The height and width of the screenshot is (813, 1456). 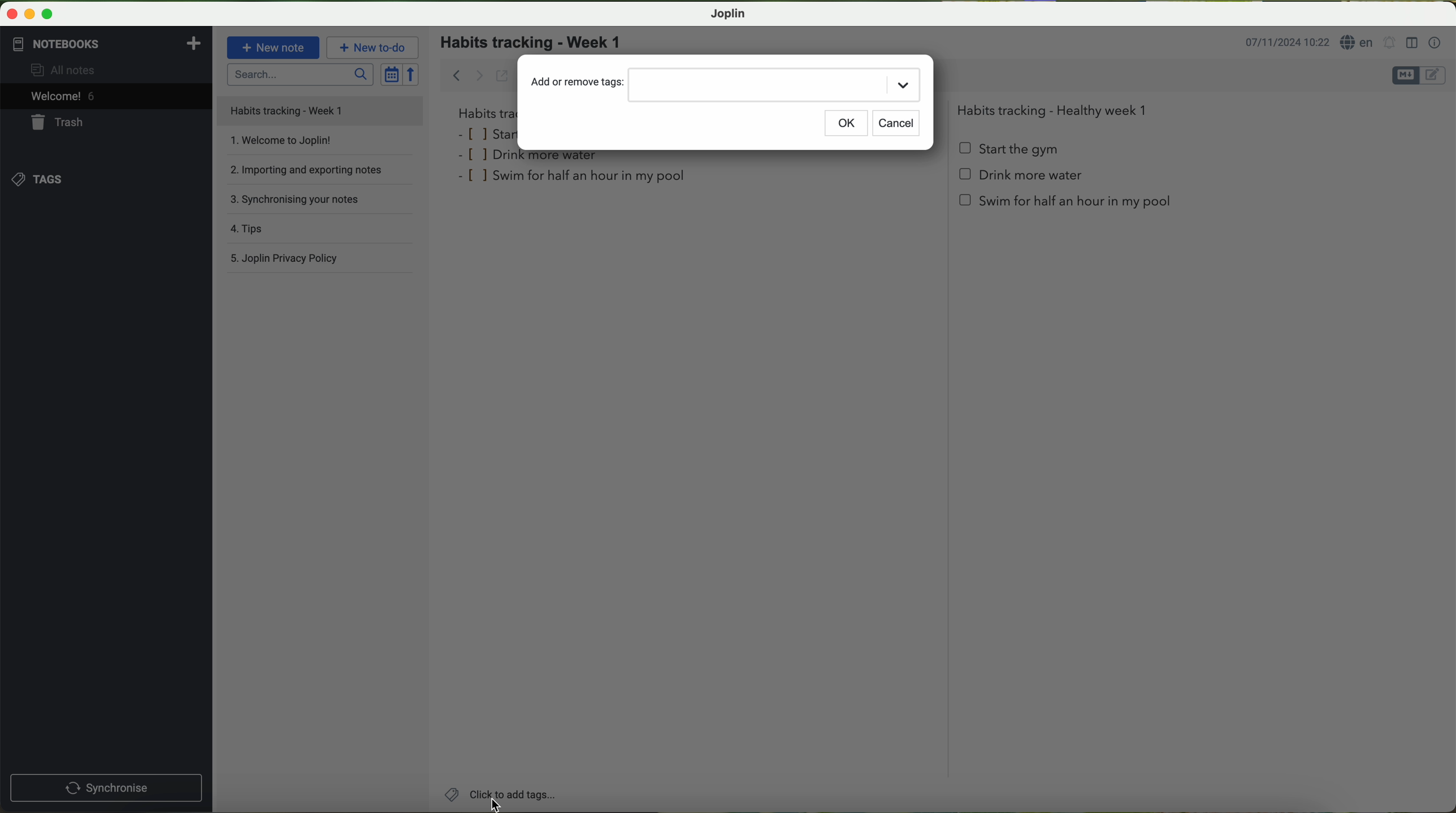 I want to click on language, so click(x=1358, y=42).